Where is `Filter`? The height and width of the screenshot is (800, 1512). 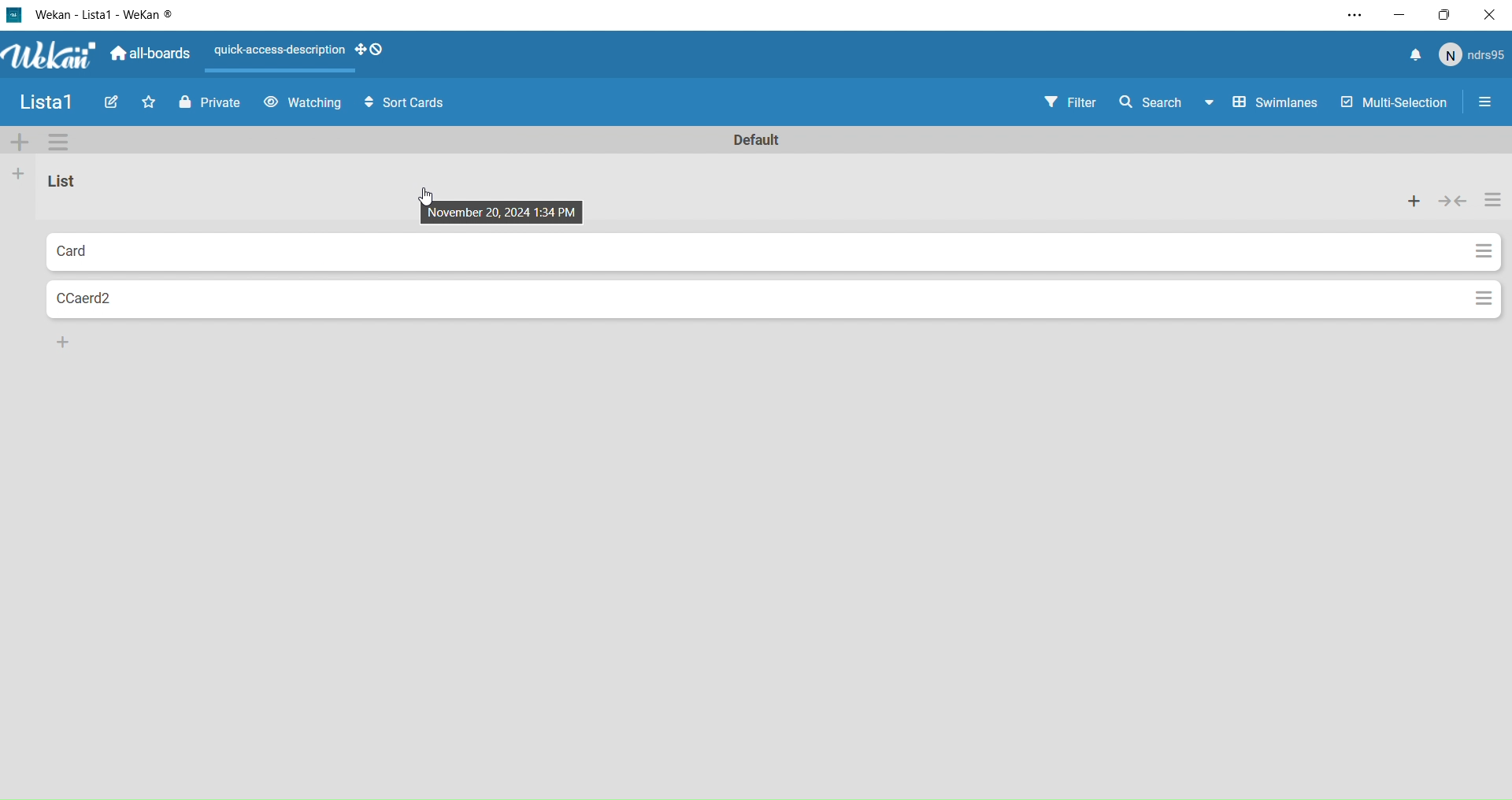 Filter is located at coordinates (1069, 103).